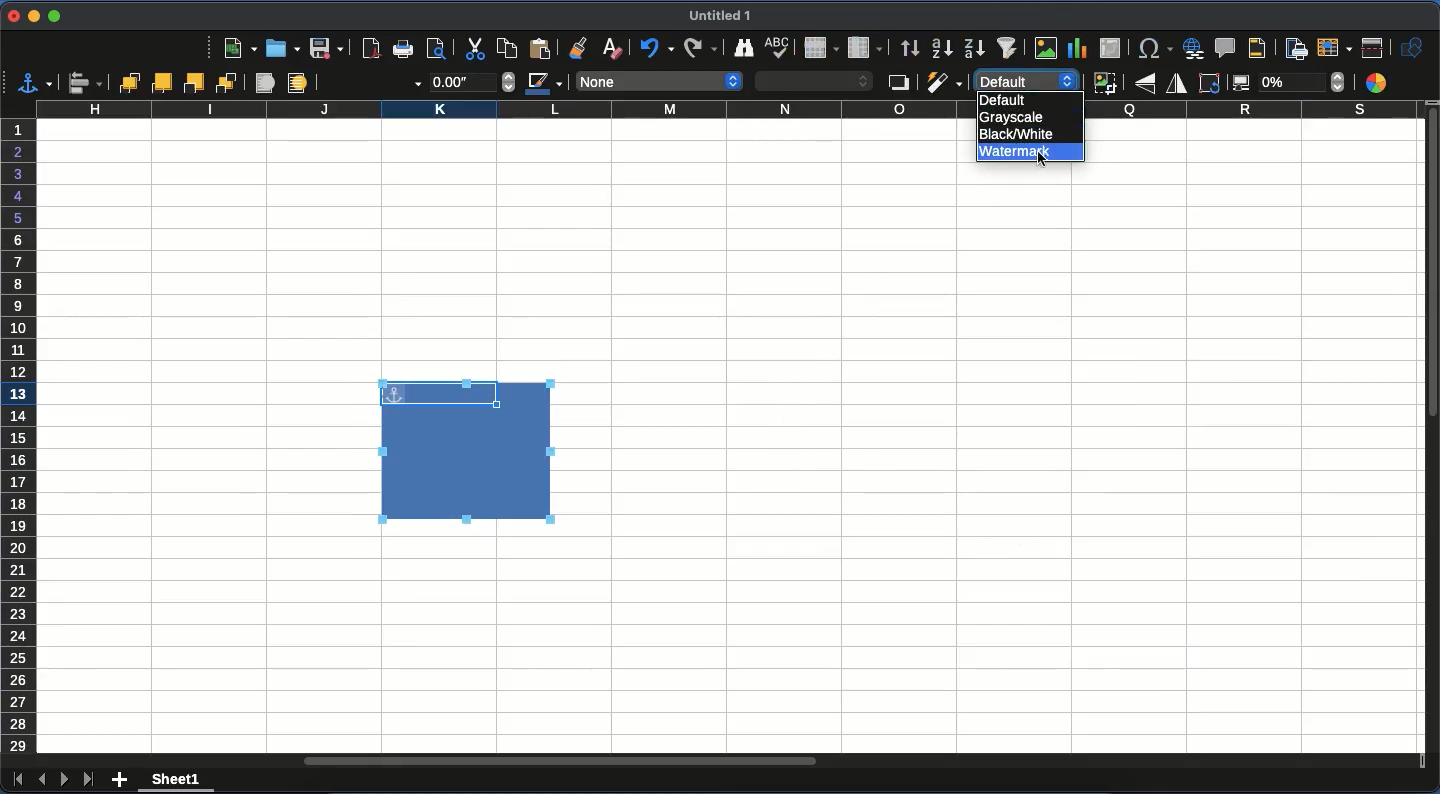  I want to click on transparency, so click(1288, 84).